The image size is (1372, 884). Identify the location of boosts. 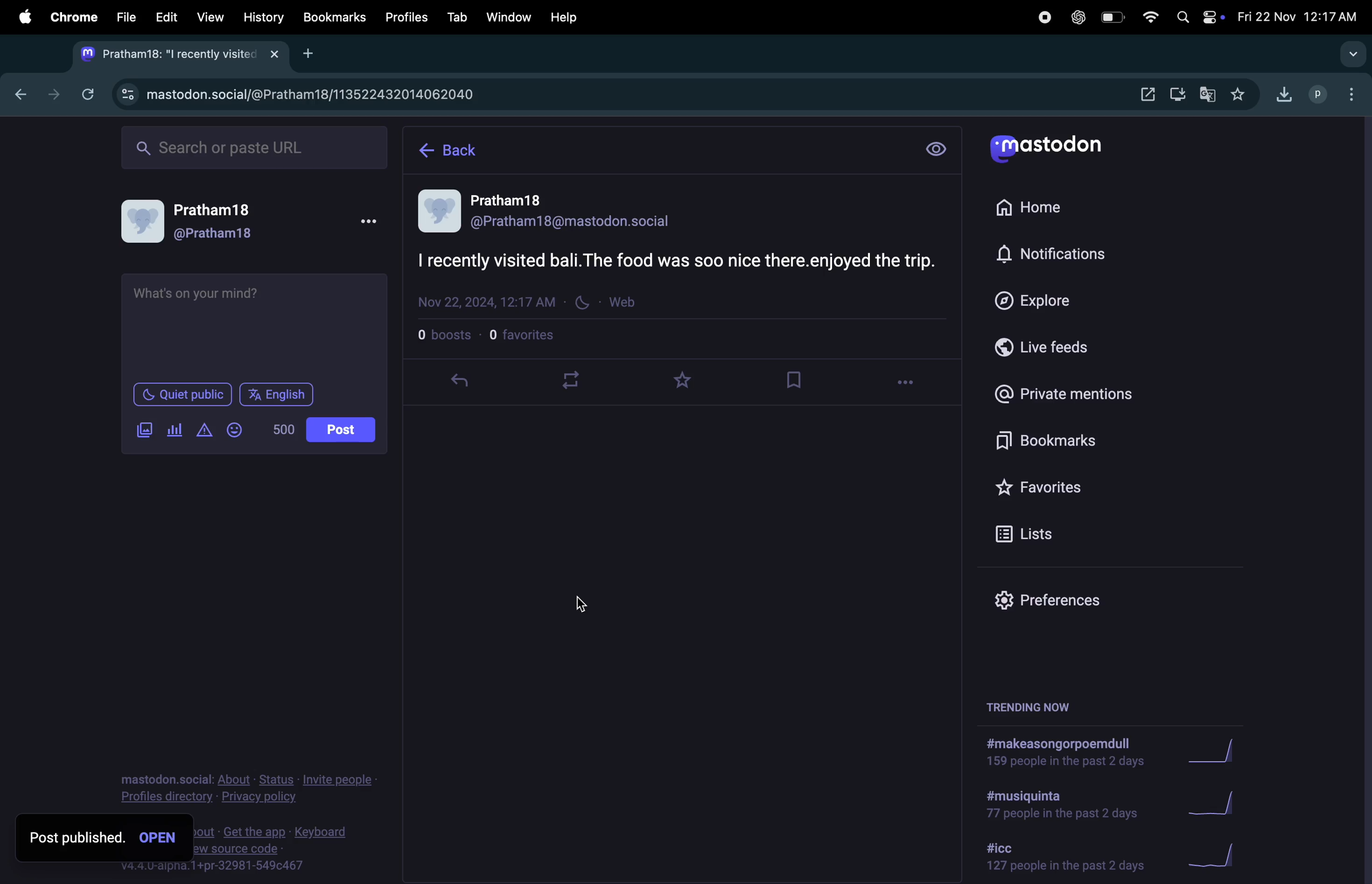
(448, 336).